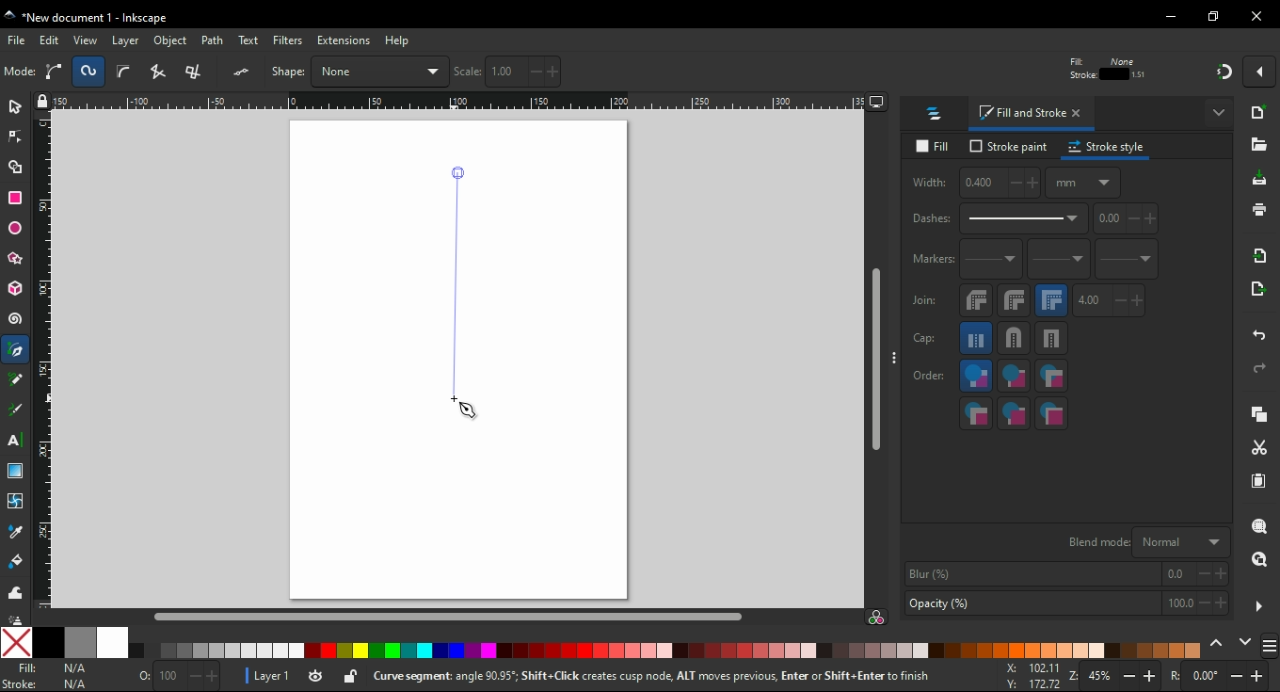 The image size is (1280, 692). I want to click on next , so click(1246, 644).